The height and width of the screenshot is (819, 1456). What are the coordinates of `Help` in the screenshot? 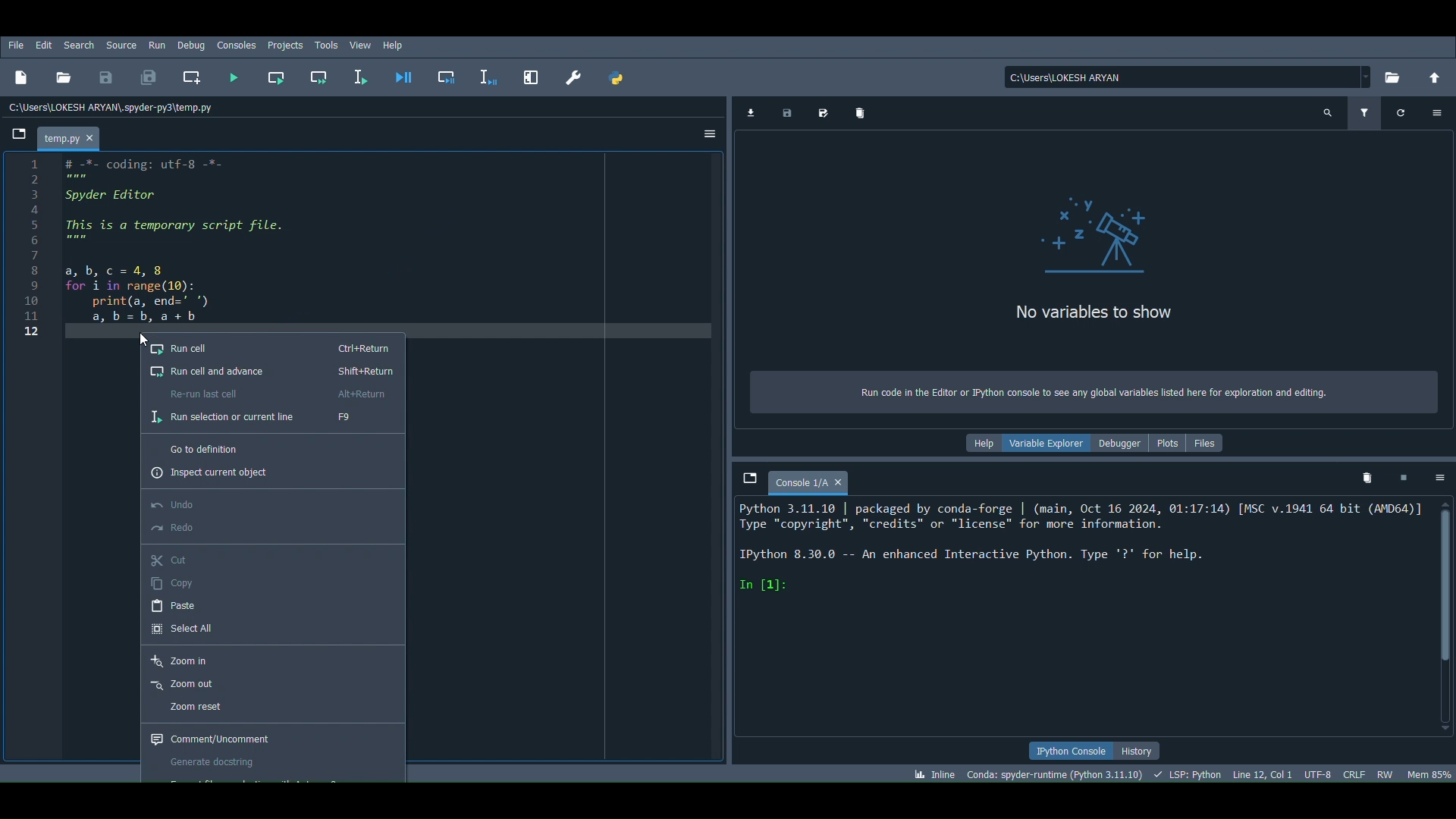 It's located at (393, 44).